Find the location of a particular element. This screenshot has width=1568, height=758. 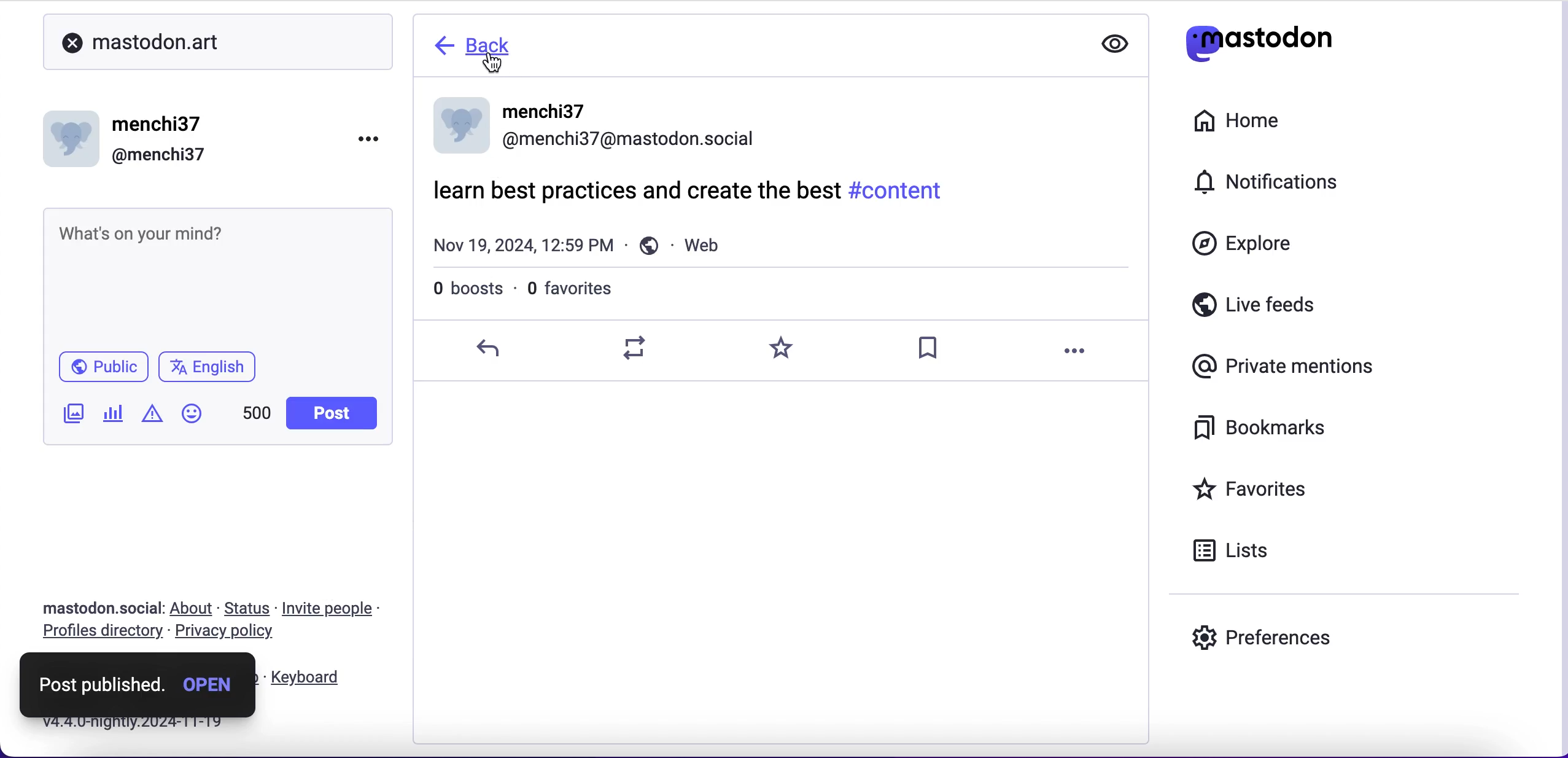

add image is located at coordinates (71, 415).